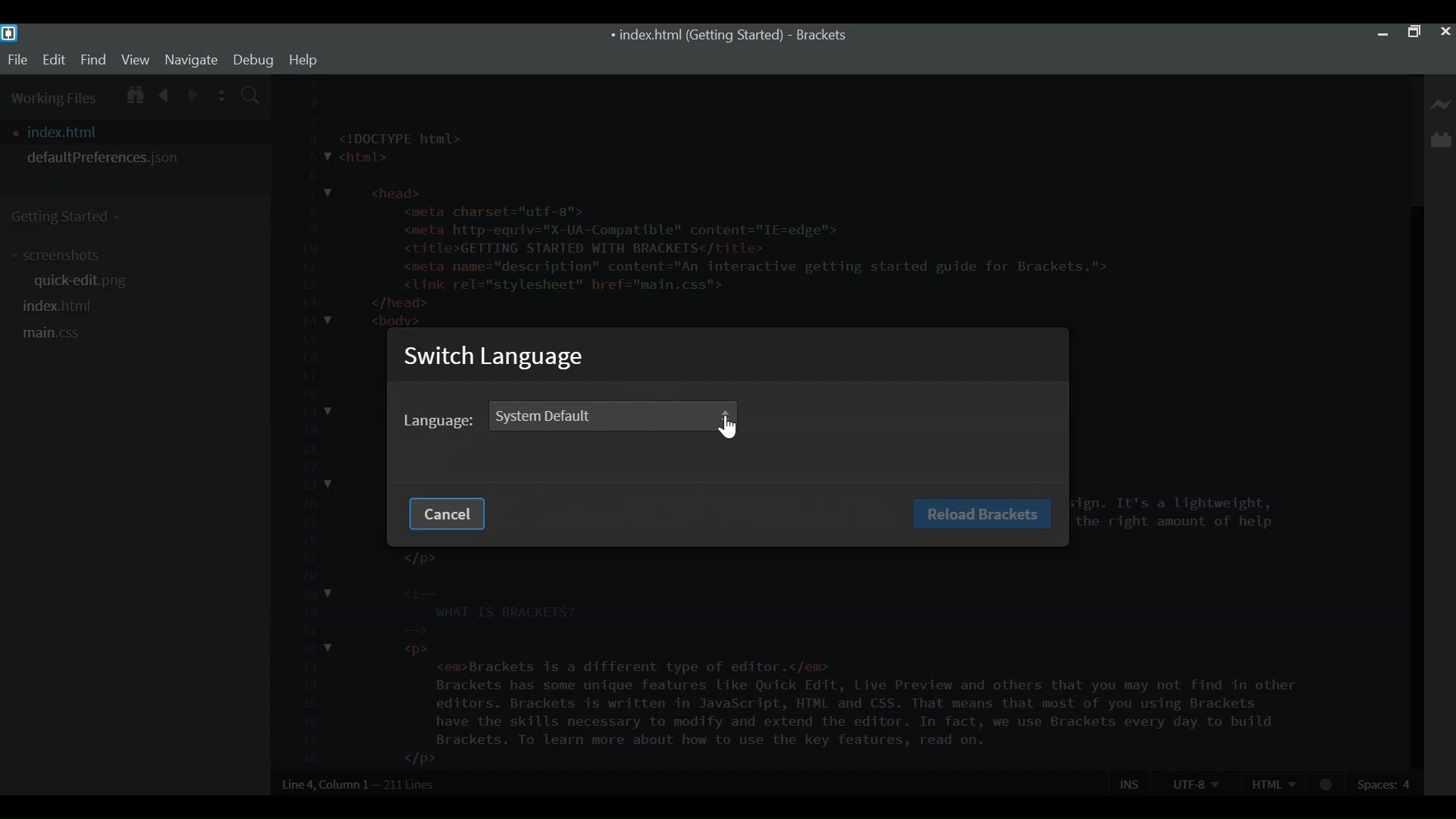  What do you see at coordinates (1195, 783) in the screenshot?
I see `UTF-8` at bounding box center [1195, 783].